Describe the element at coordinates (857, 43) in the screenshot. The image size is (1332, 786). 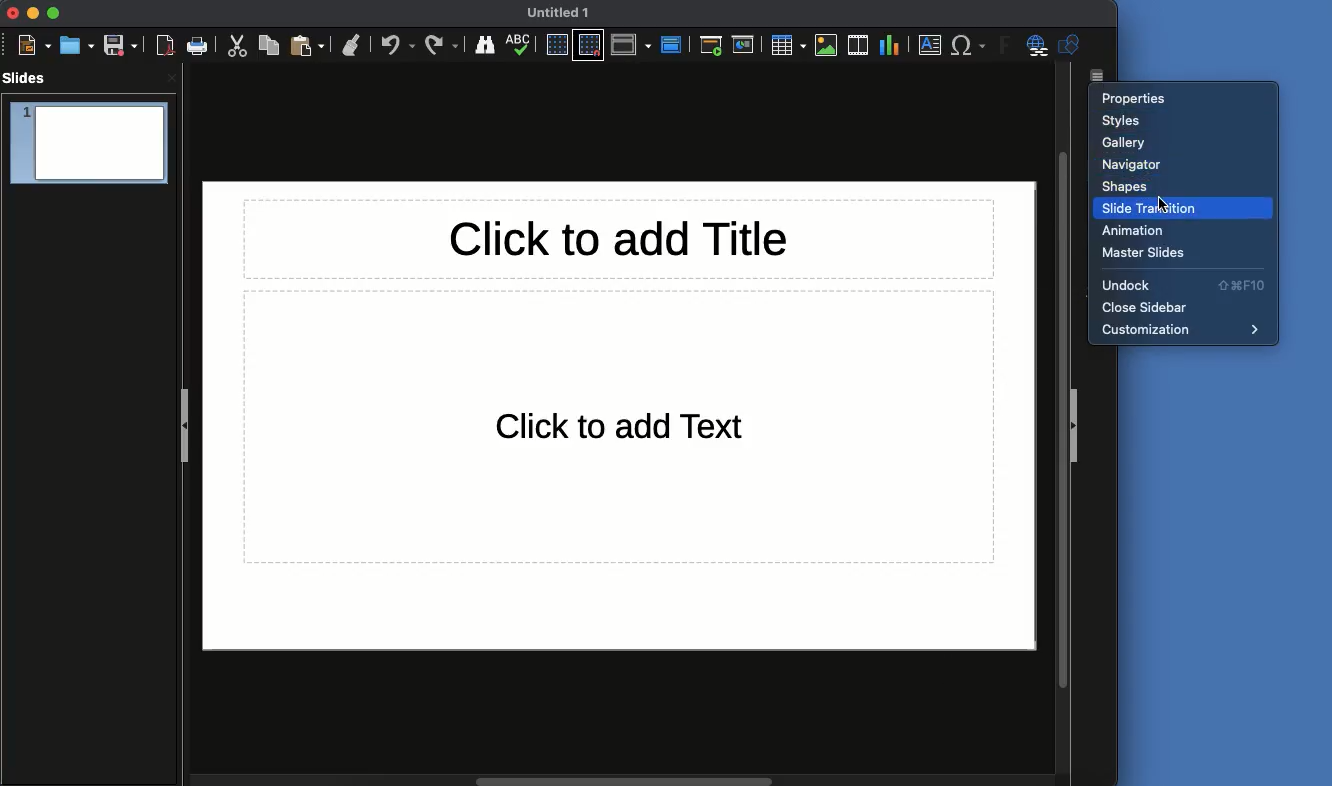
I see `Audio or video` at that location.